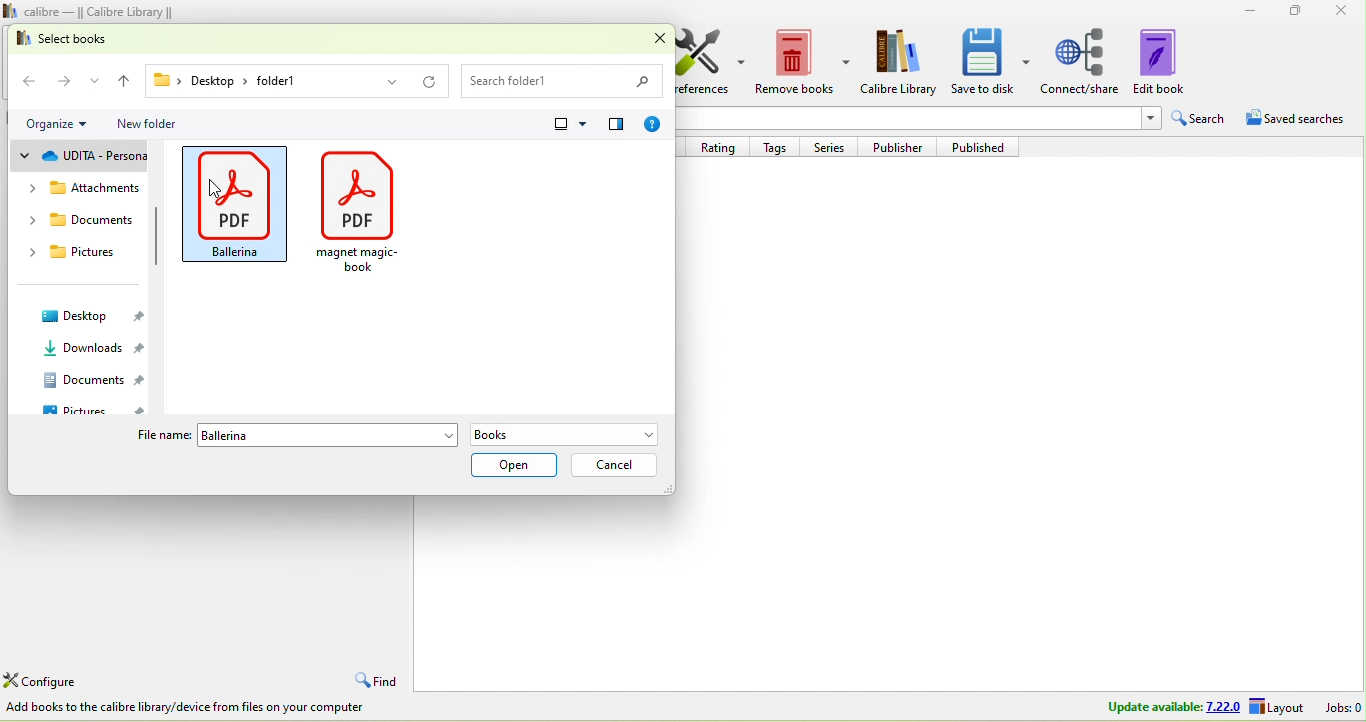 The height and width of the screenshot is (722, 1366). What do you see at coordinates (654, 126) in the screenshot?
I see `?` at bounding box center [654, 126].